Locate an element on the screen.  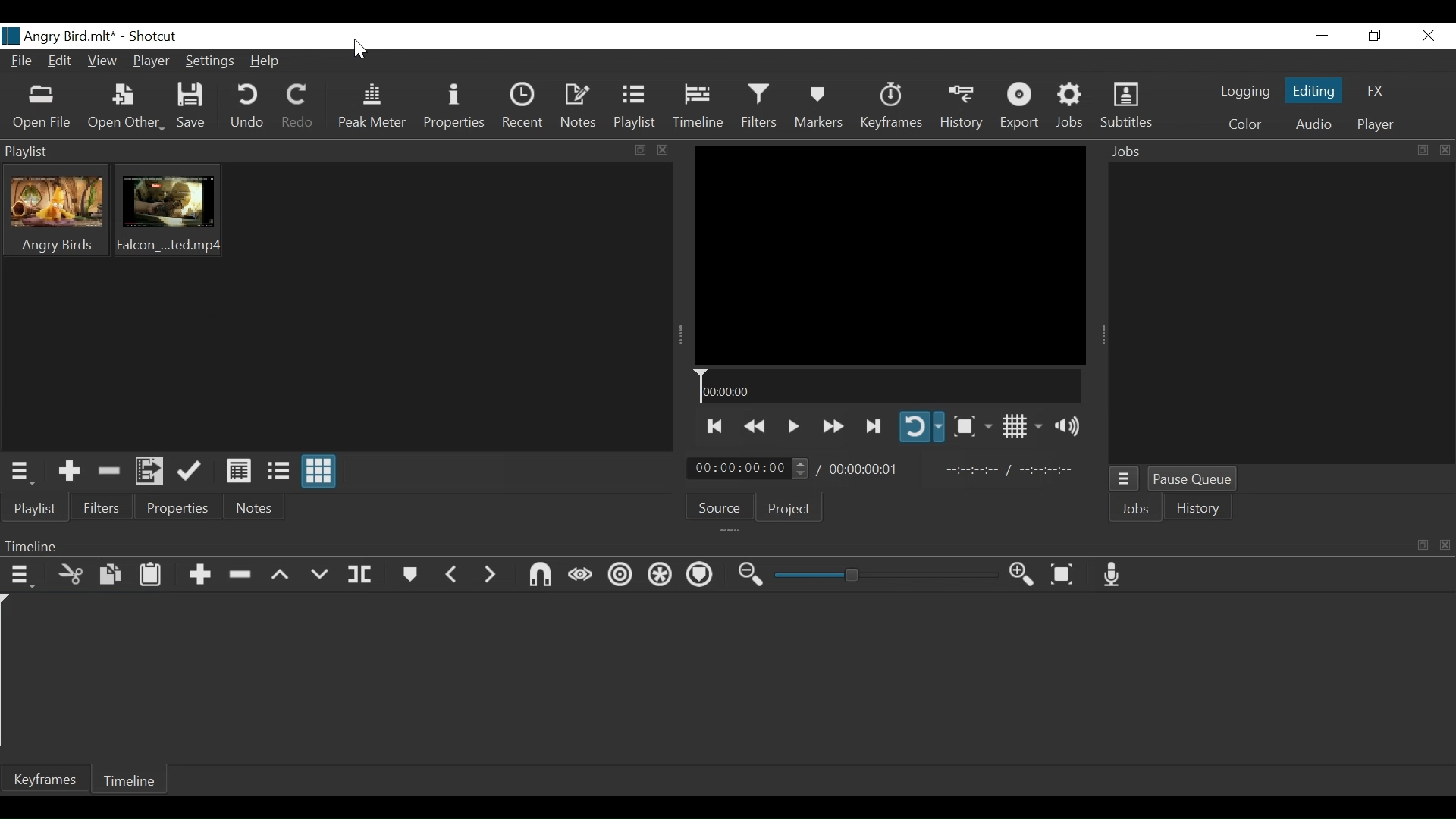
Show volume control is located at coordinates (1065, 427).